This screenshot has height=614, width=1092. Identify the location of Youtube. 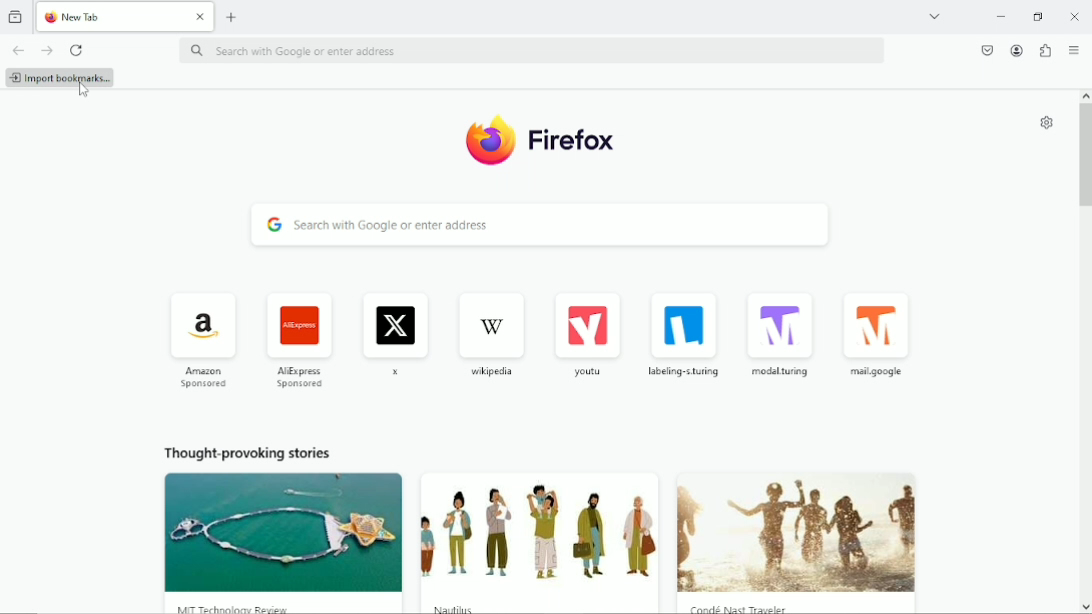
(589, 334).